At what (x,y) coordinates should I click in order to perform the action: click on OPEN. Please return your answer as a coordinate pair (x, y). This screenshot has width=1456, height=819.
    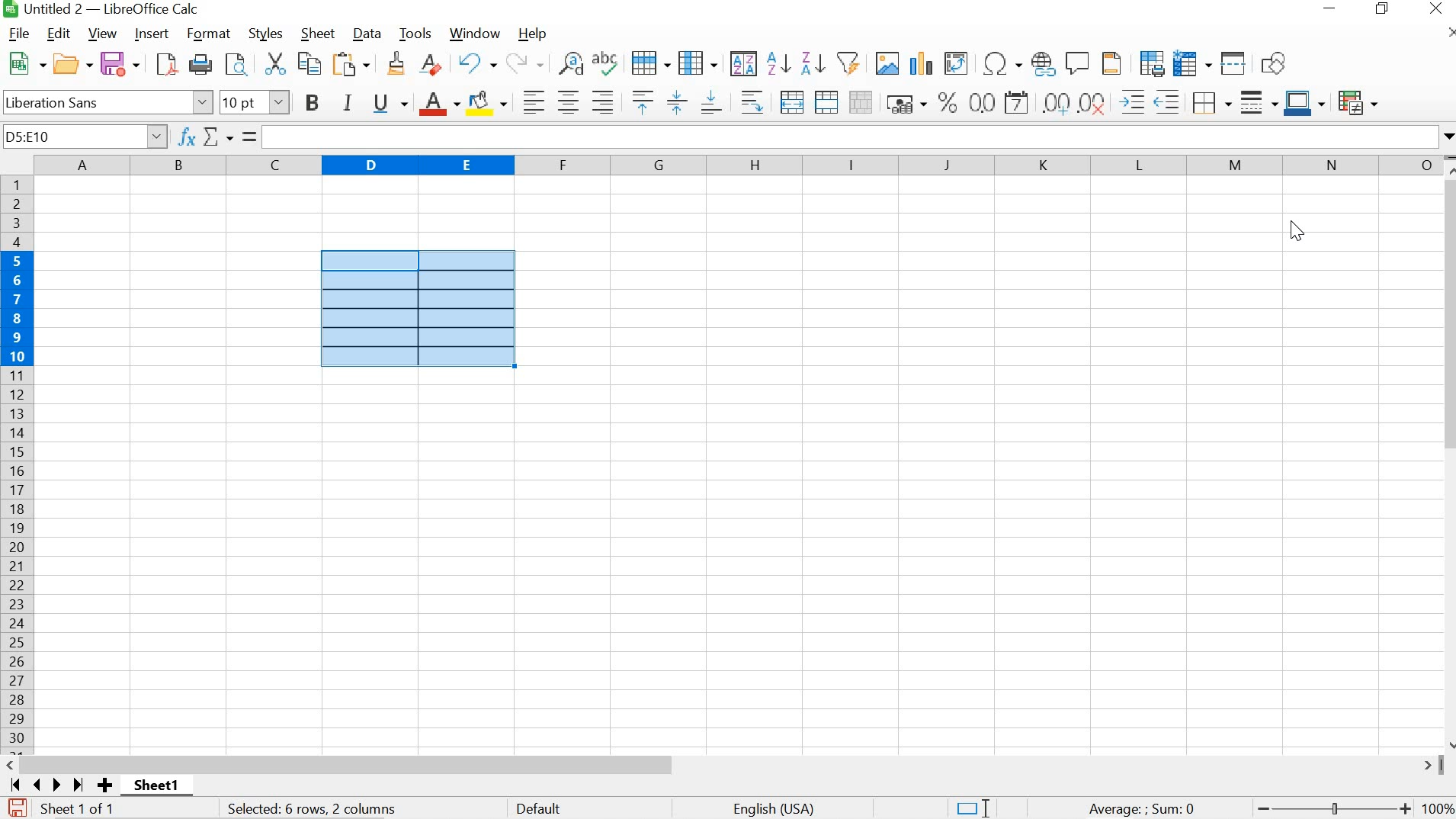
    Looking at the image, I should click on (72, 64).